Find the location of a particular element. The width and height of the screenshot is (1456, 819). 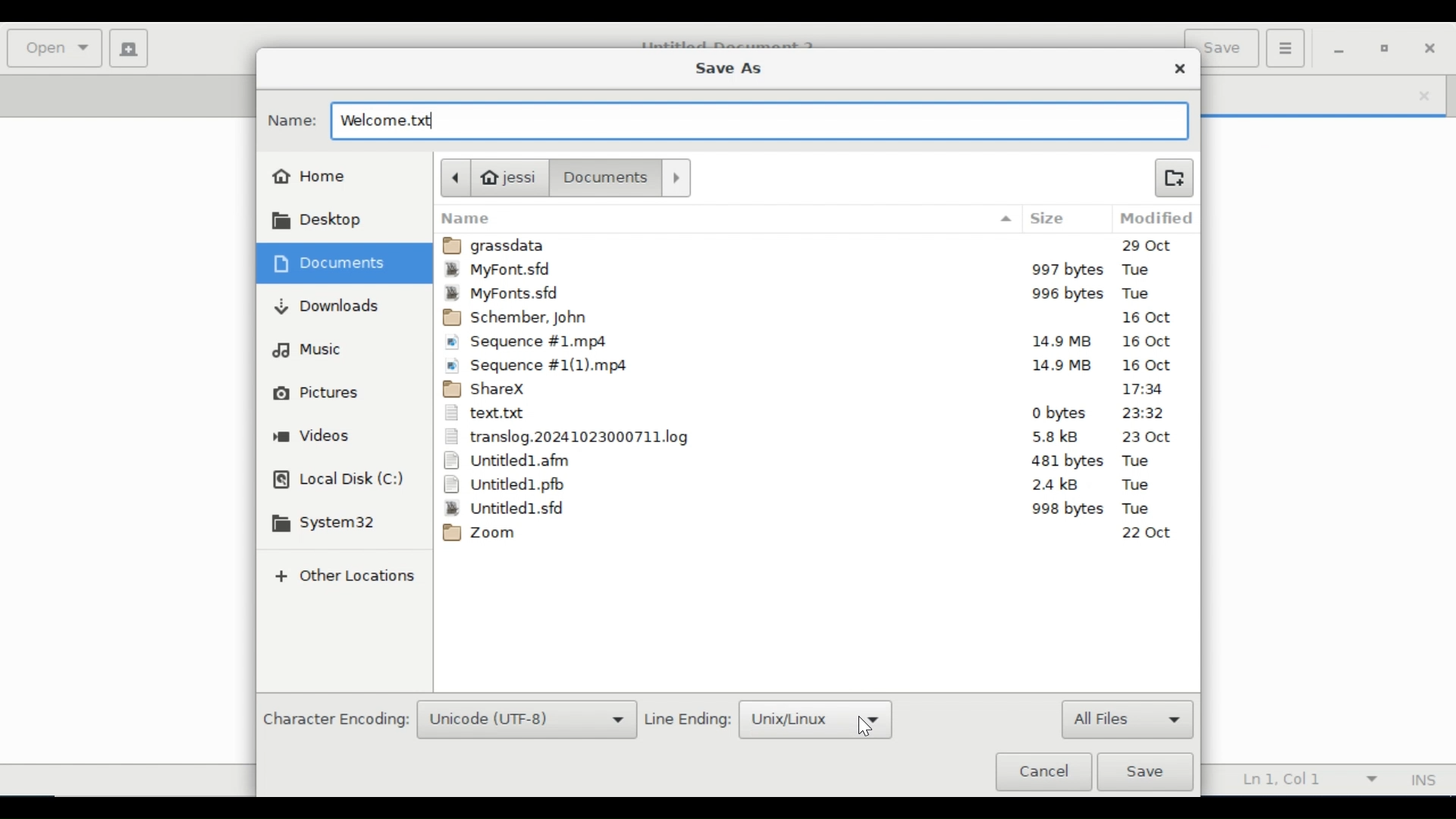

Unix/Linux is located at coordinates (815, 720).